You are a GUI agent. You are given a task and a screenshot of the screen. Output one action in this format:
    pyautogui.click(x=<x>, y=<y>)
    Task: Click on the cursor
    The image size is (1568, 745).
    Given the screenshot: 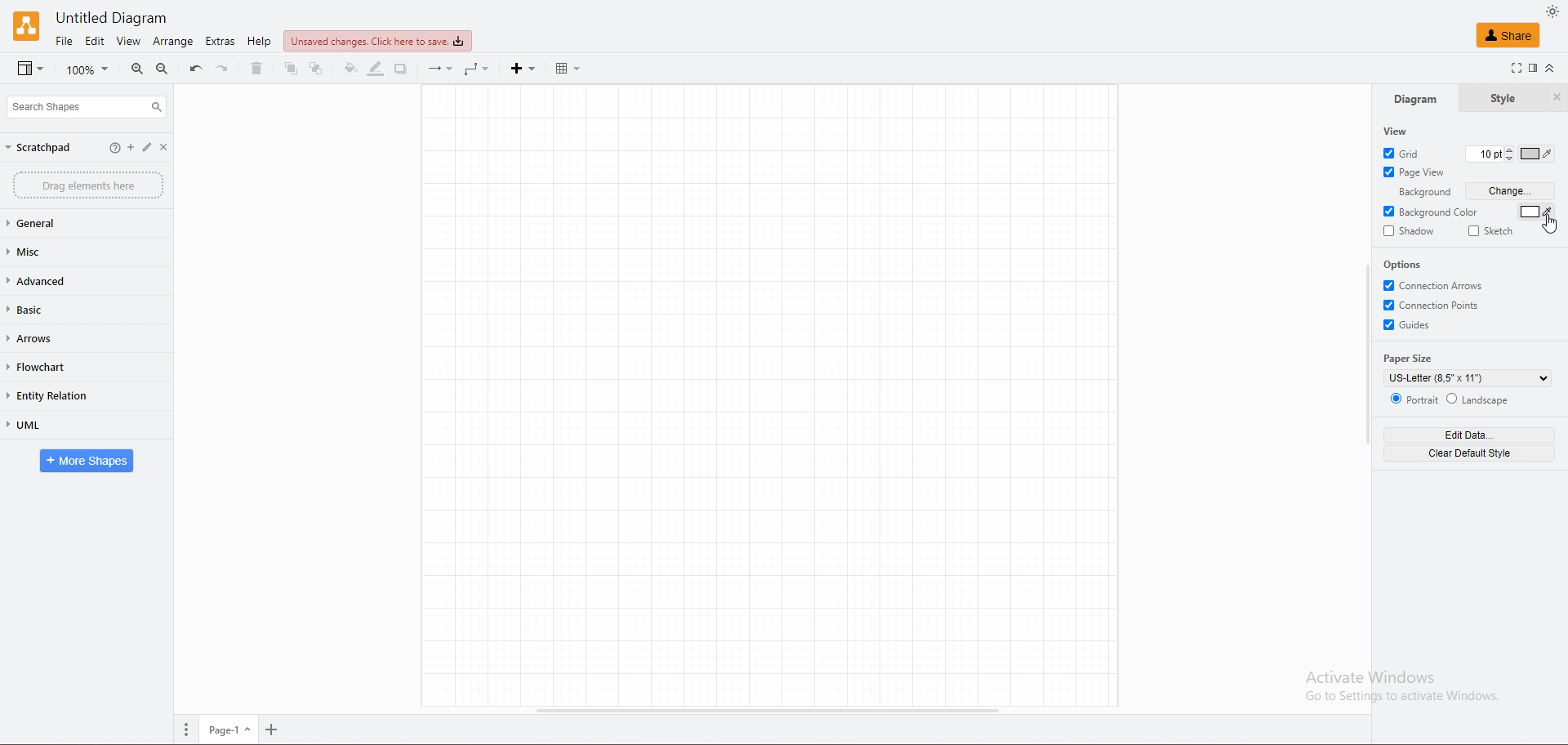 What is the action you would take?
    pyautogui.click(x=1549, y=224)
    